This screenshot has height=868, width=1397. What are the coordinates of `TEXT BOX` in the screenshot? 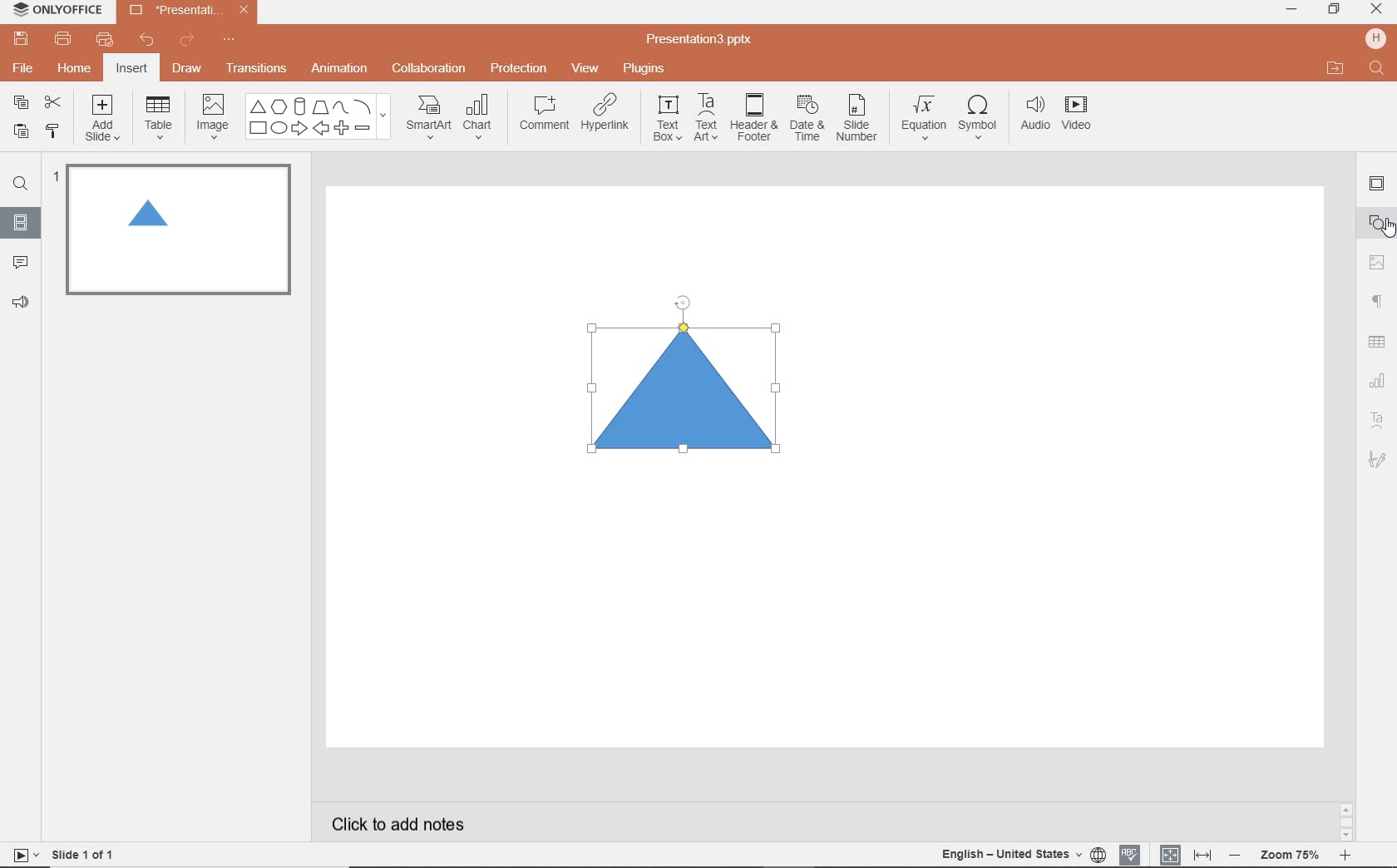 It's located at (666, 118).